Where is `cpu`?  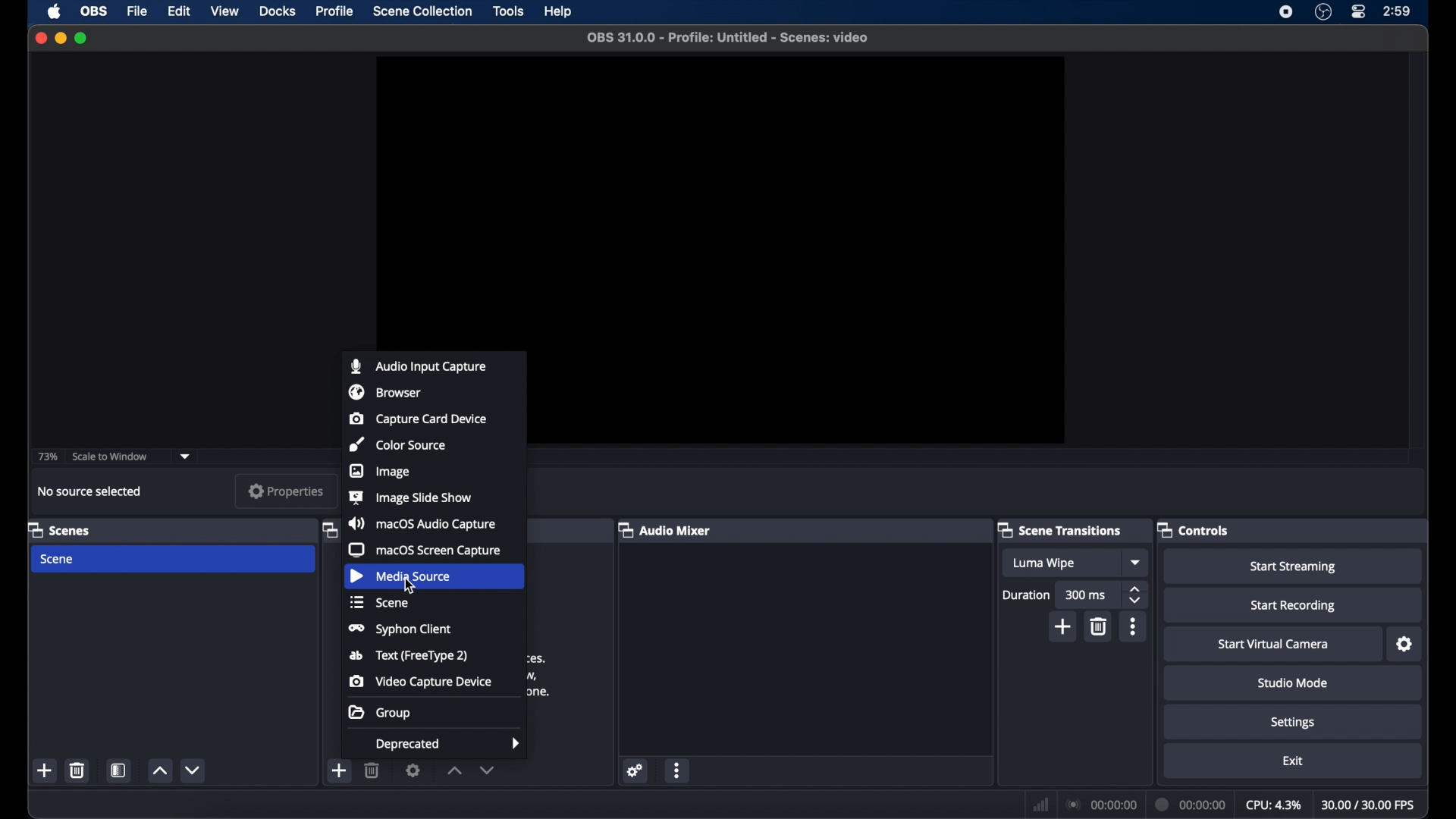
cpu is located at coordinates (1274, 805).